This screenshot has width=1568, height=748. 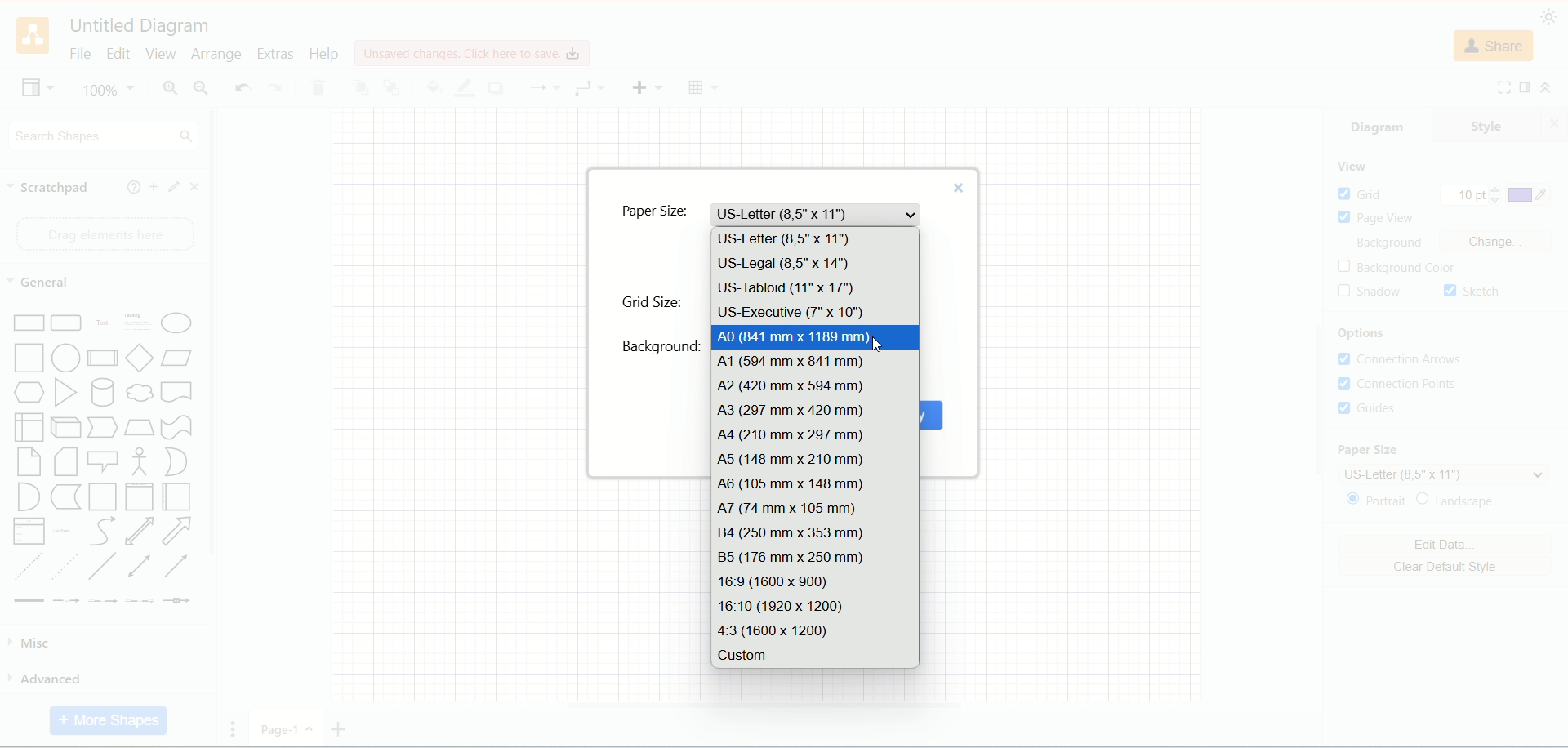 I want to click on Dashed Line, so click(x=24, y=566).